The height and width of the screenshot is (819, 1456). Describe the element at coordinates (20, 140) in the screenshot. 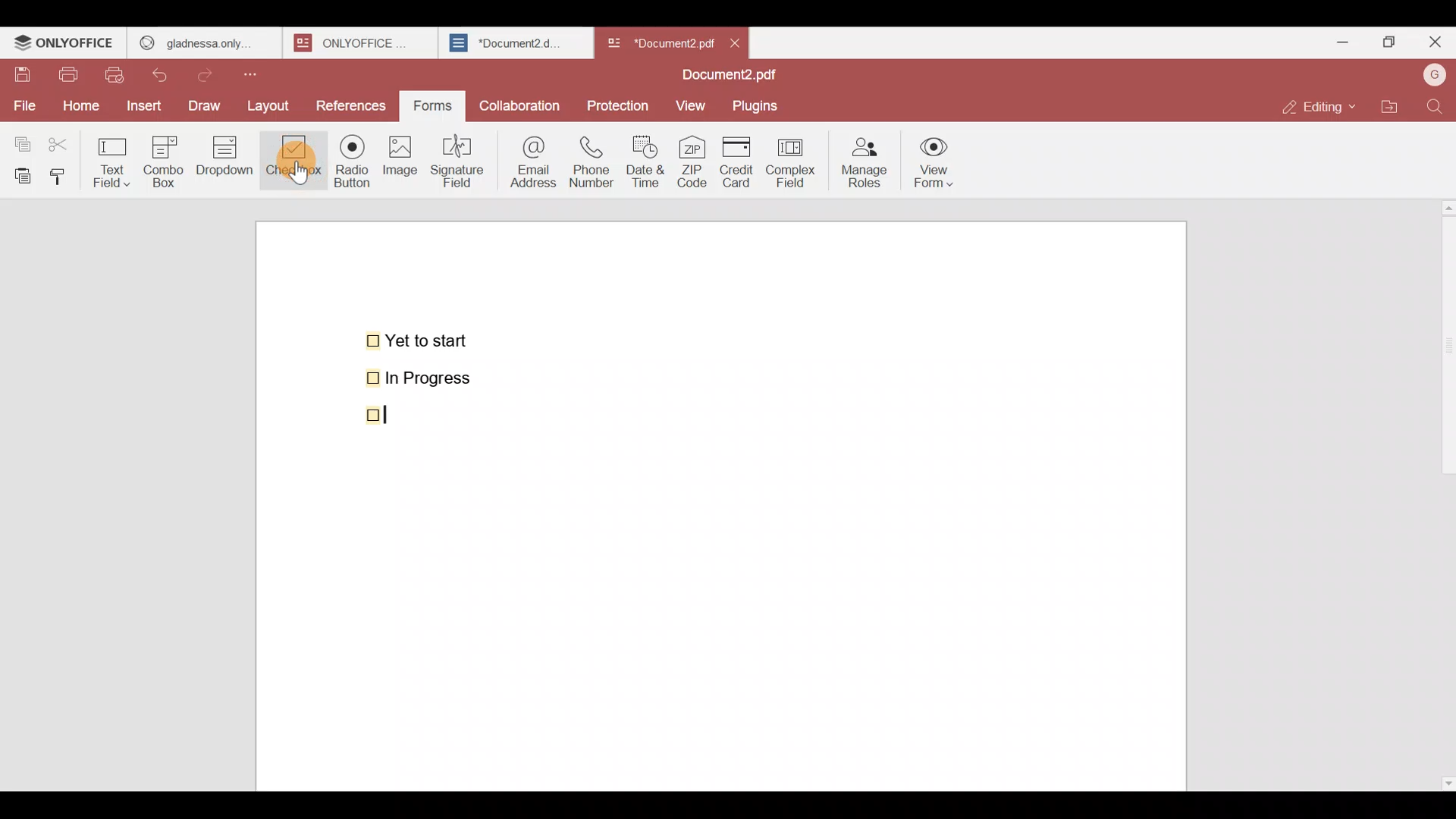

I see `Copy` at that location.